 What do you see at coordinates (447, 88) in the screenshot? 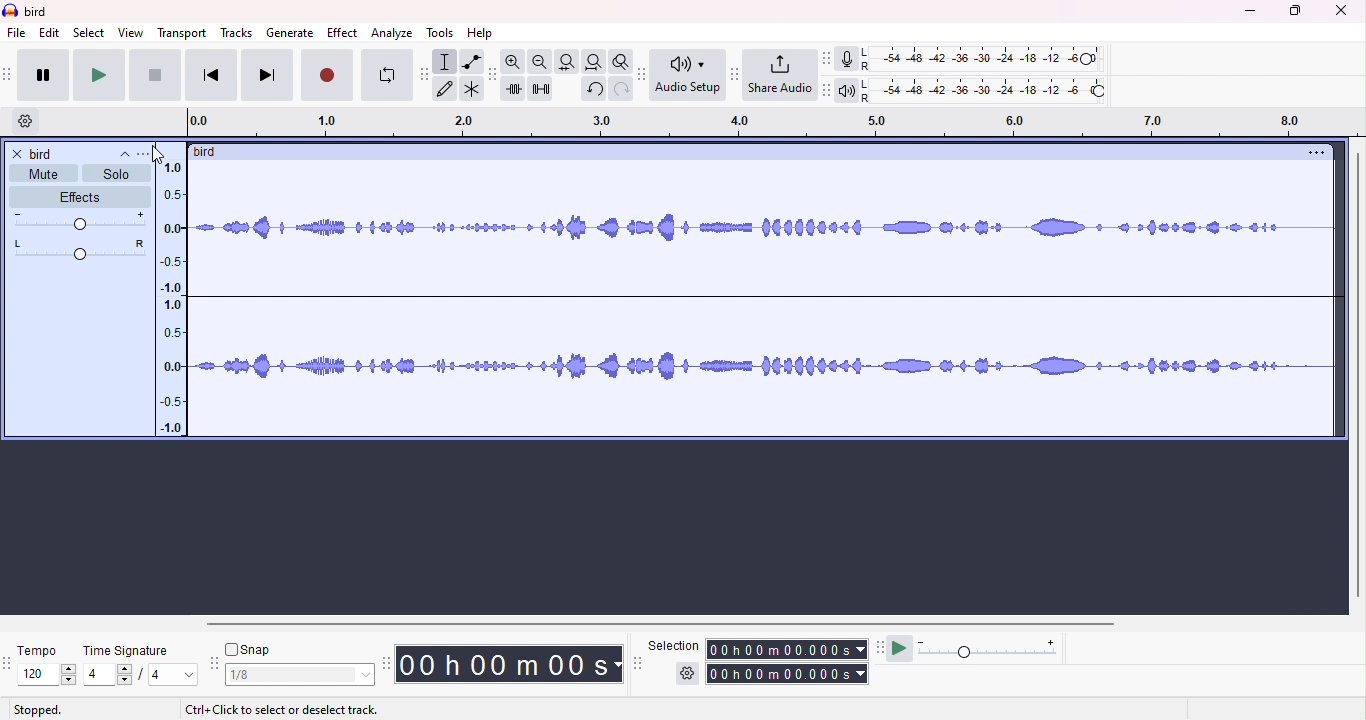
I see `draw` at bounding box center [447, 88].